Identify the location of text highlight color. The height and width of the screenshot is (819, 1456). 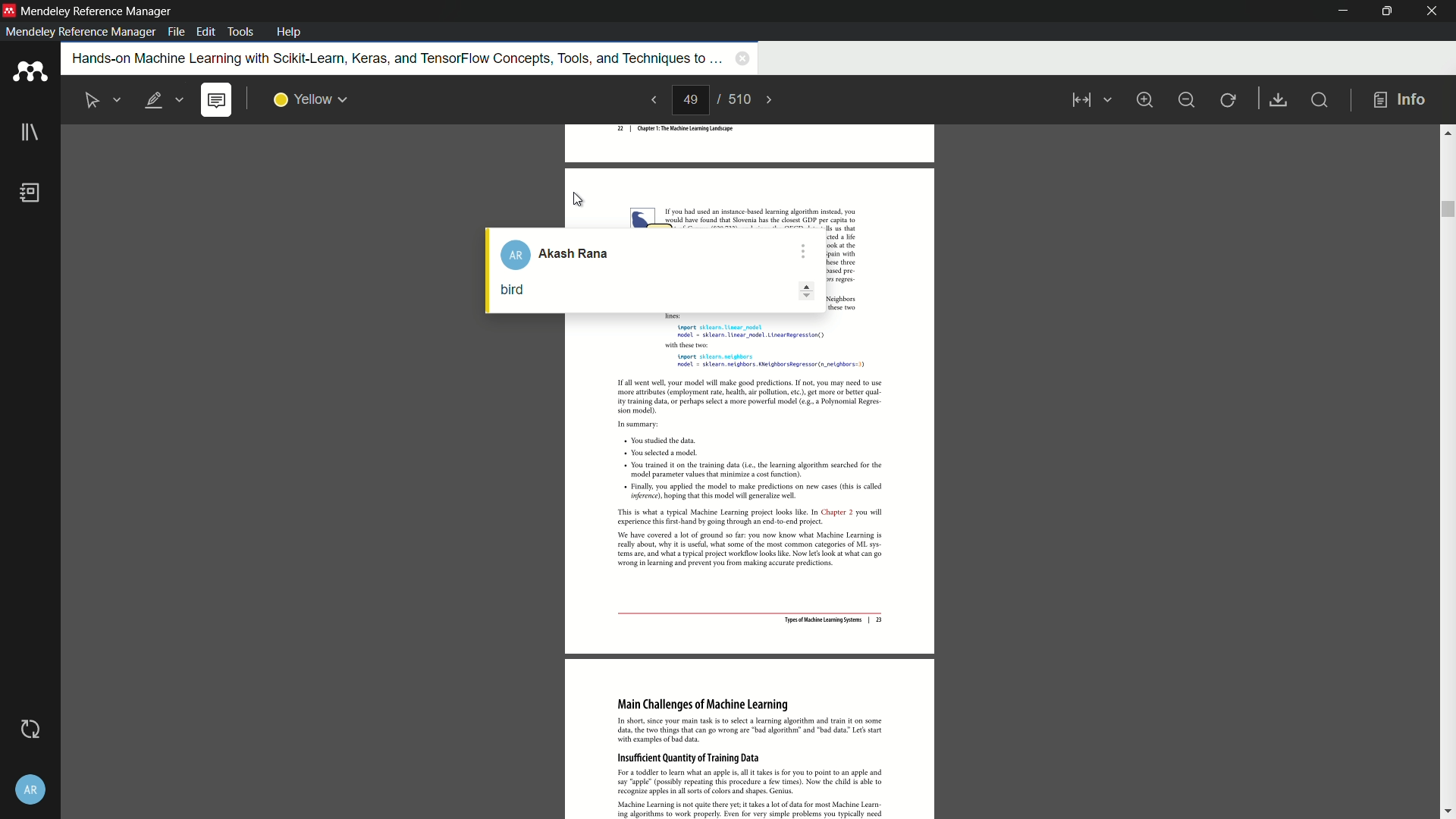
(309, 99).